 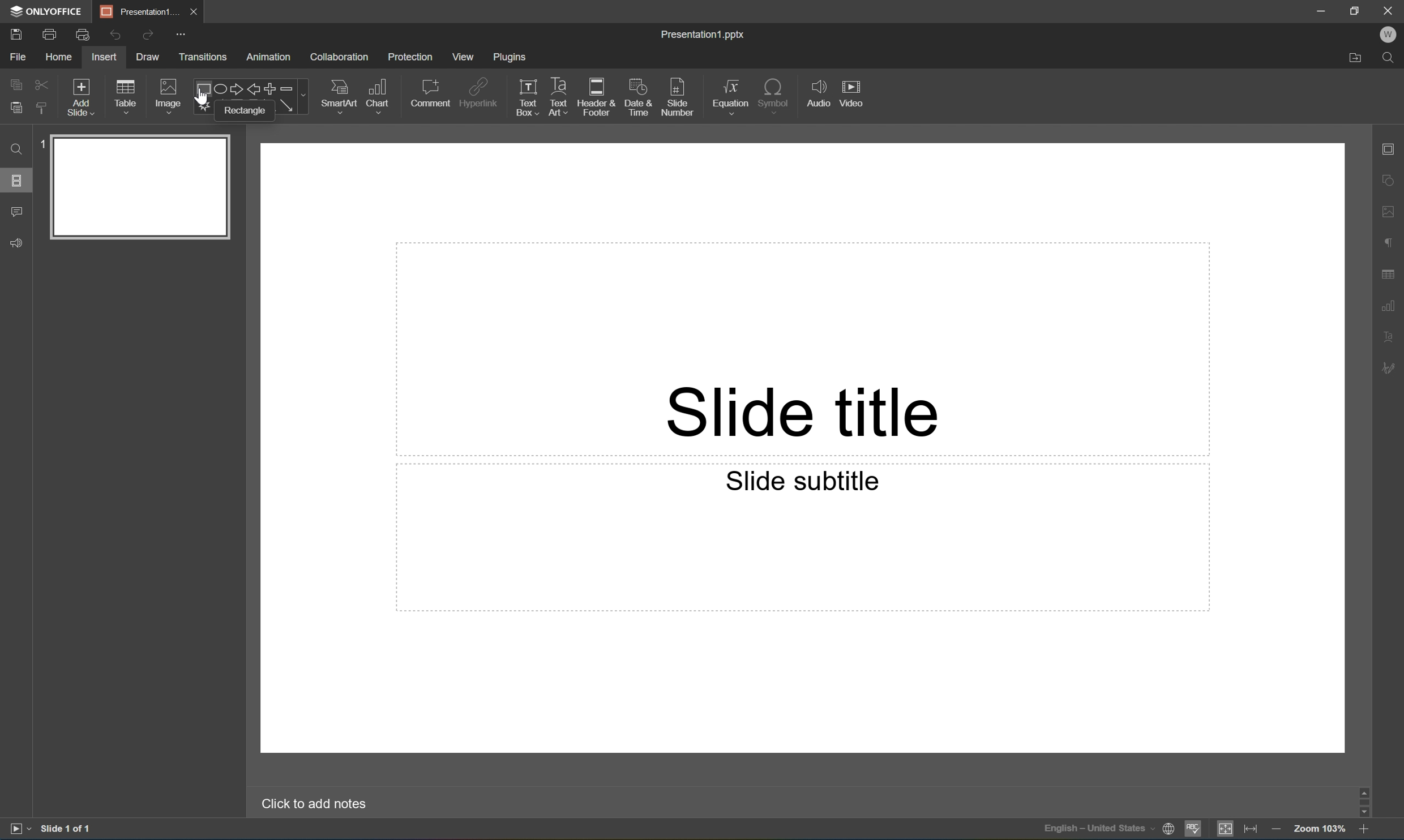 I want to click on Scroll Bar, so click(x=1361, y=798).